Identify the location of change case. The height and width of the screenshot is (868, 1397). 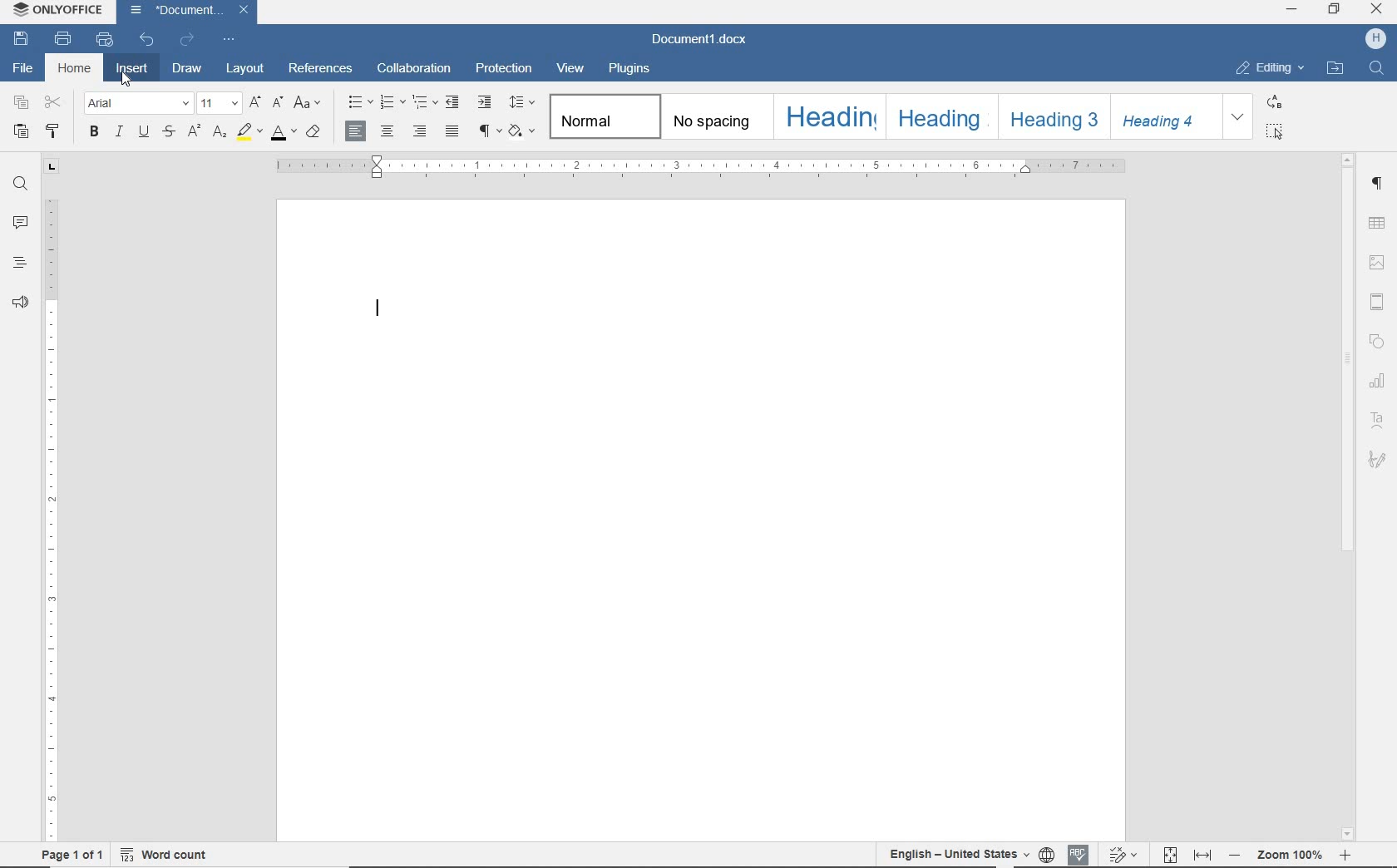
(309, 104).